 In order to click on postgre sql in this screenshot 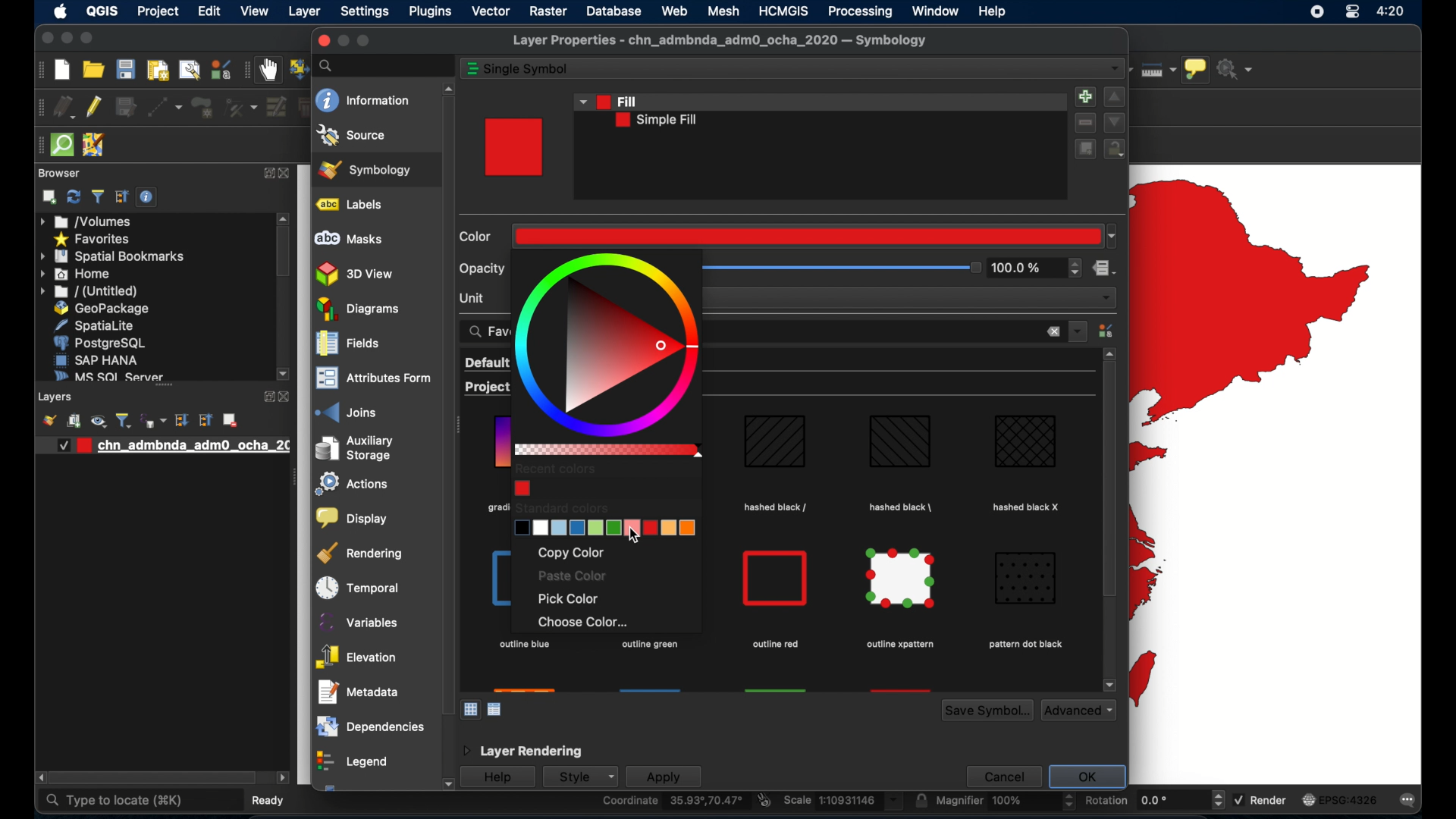, I will do `click(99, 343)`.